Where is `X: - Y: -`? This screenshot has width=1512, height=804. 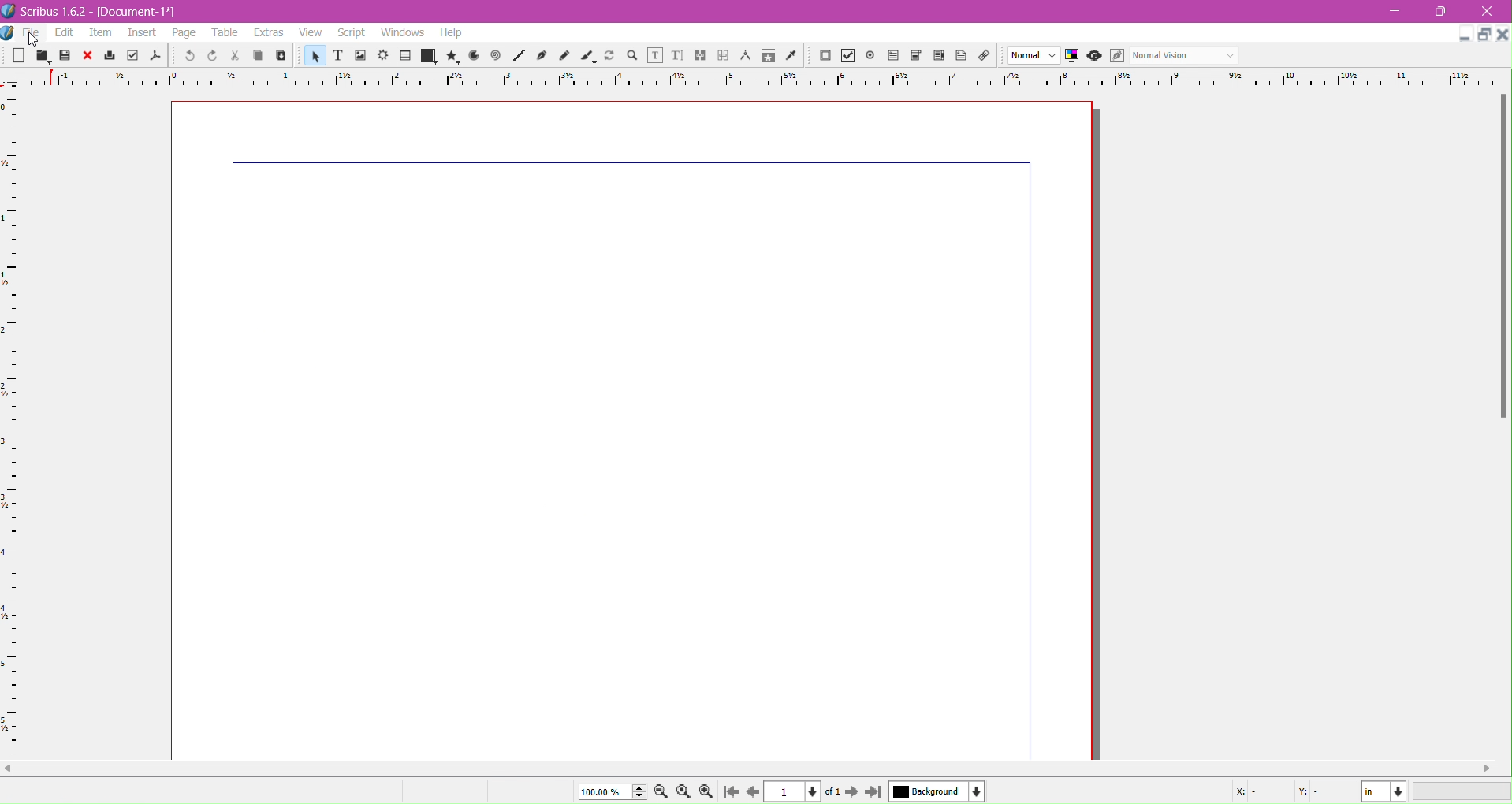
X: - Y: - is located at coordinates (1276, 792).